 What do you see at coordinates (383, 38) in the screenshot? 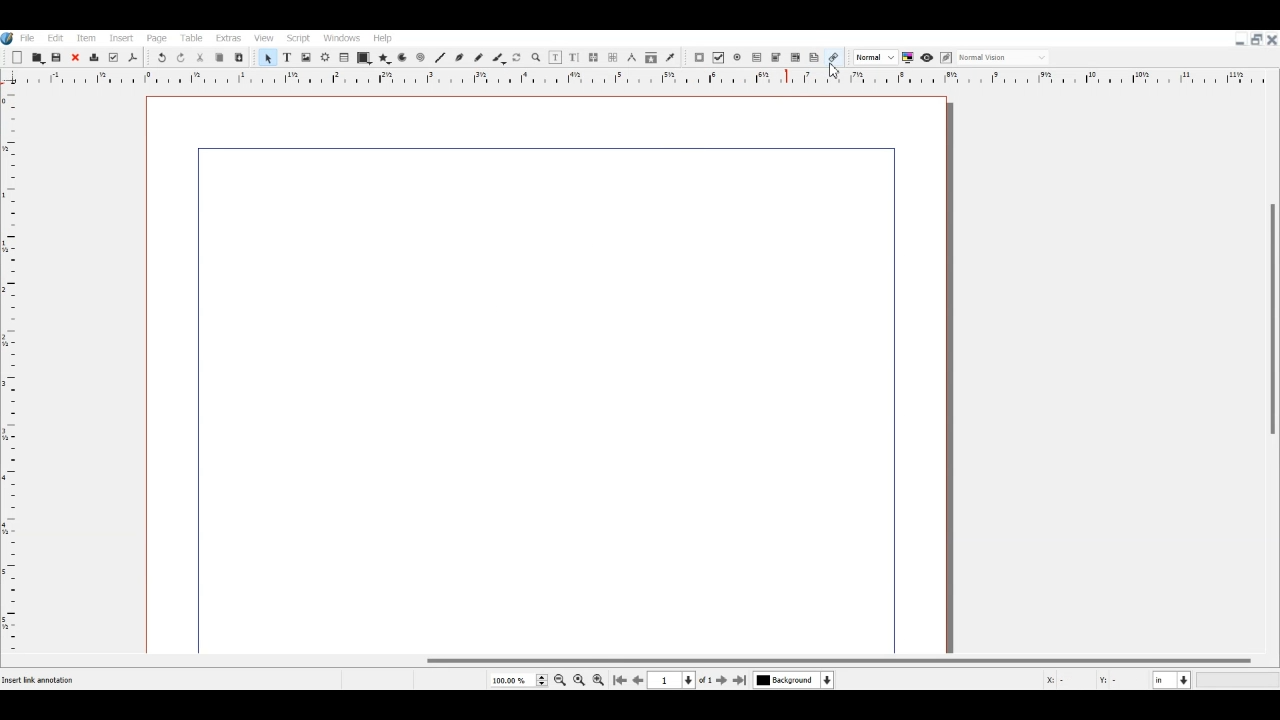
I see `Help` at bounding box center [383, 38].